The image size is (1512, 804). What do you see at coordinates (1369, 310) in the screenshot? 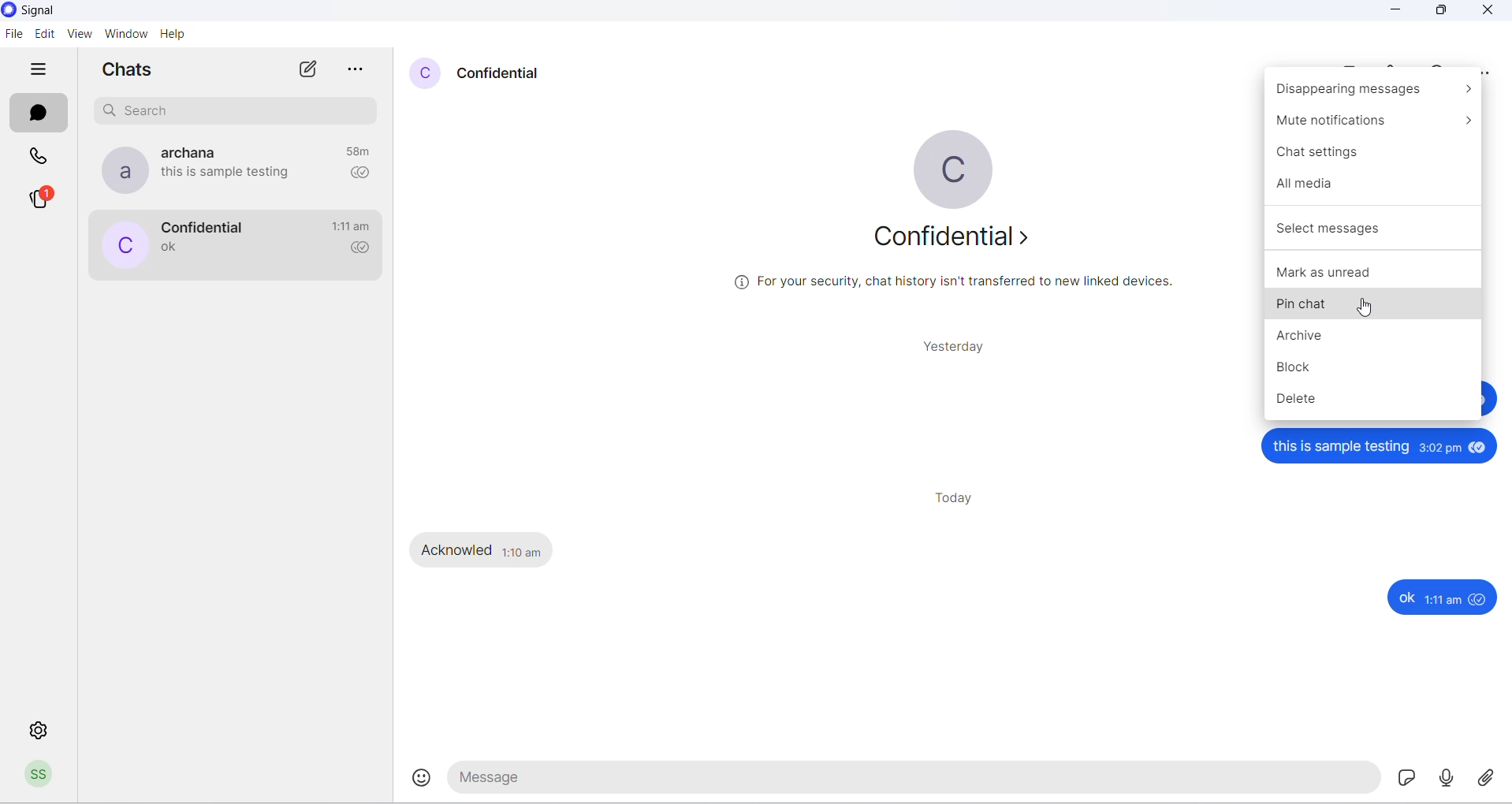
I see `cursor` at bounding box center [1369, 310].